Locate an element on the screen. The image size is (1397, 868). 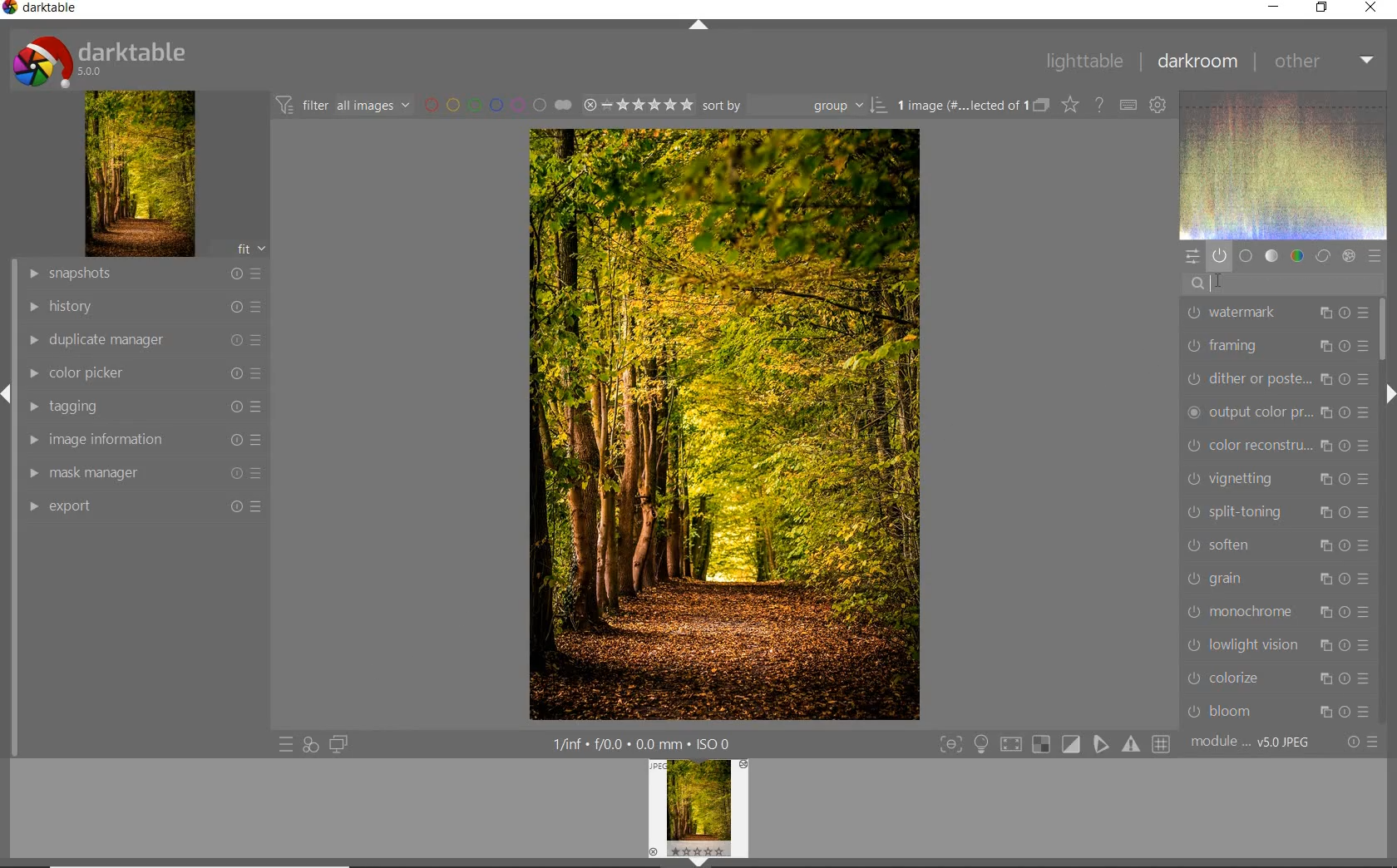
expand/collapse is located at coordinates (696, 25).